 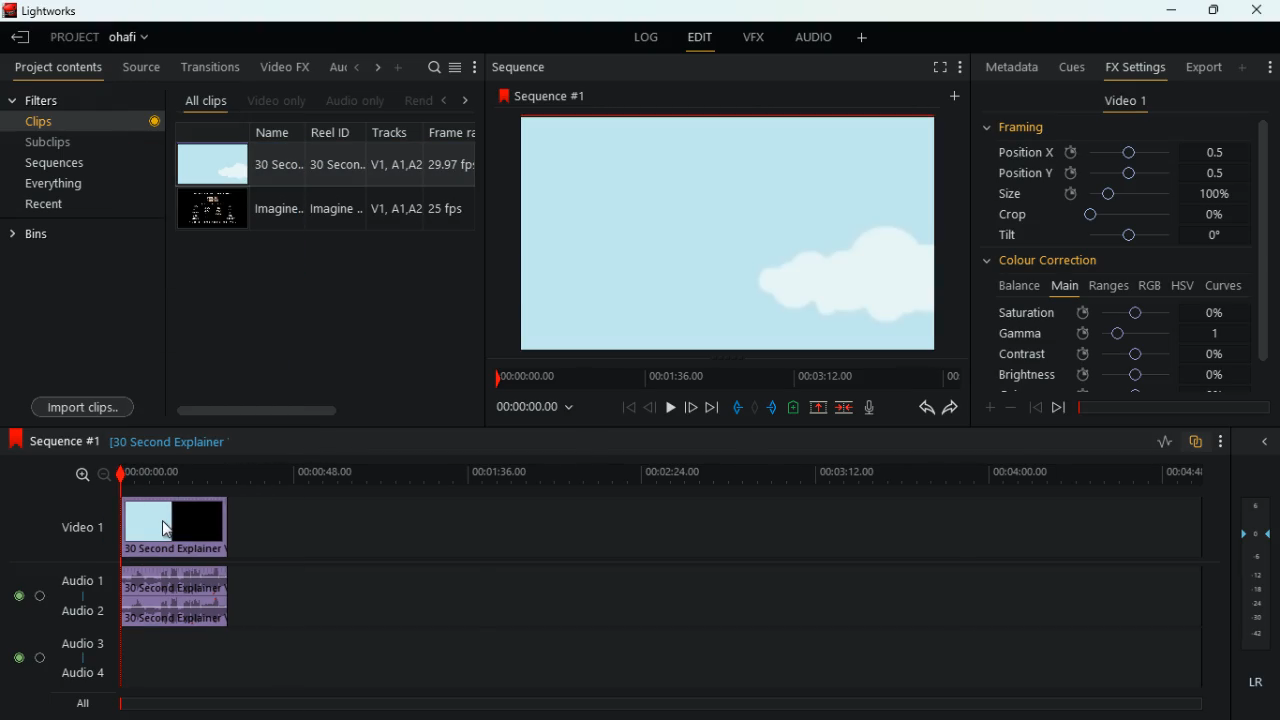 I want to click on metadata, so click(x=1009, y=69).